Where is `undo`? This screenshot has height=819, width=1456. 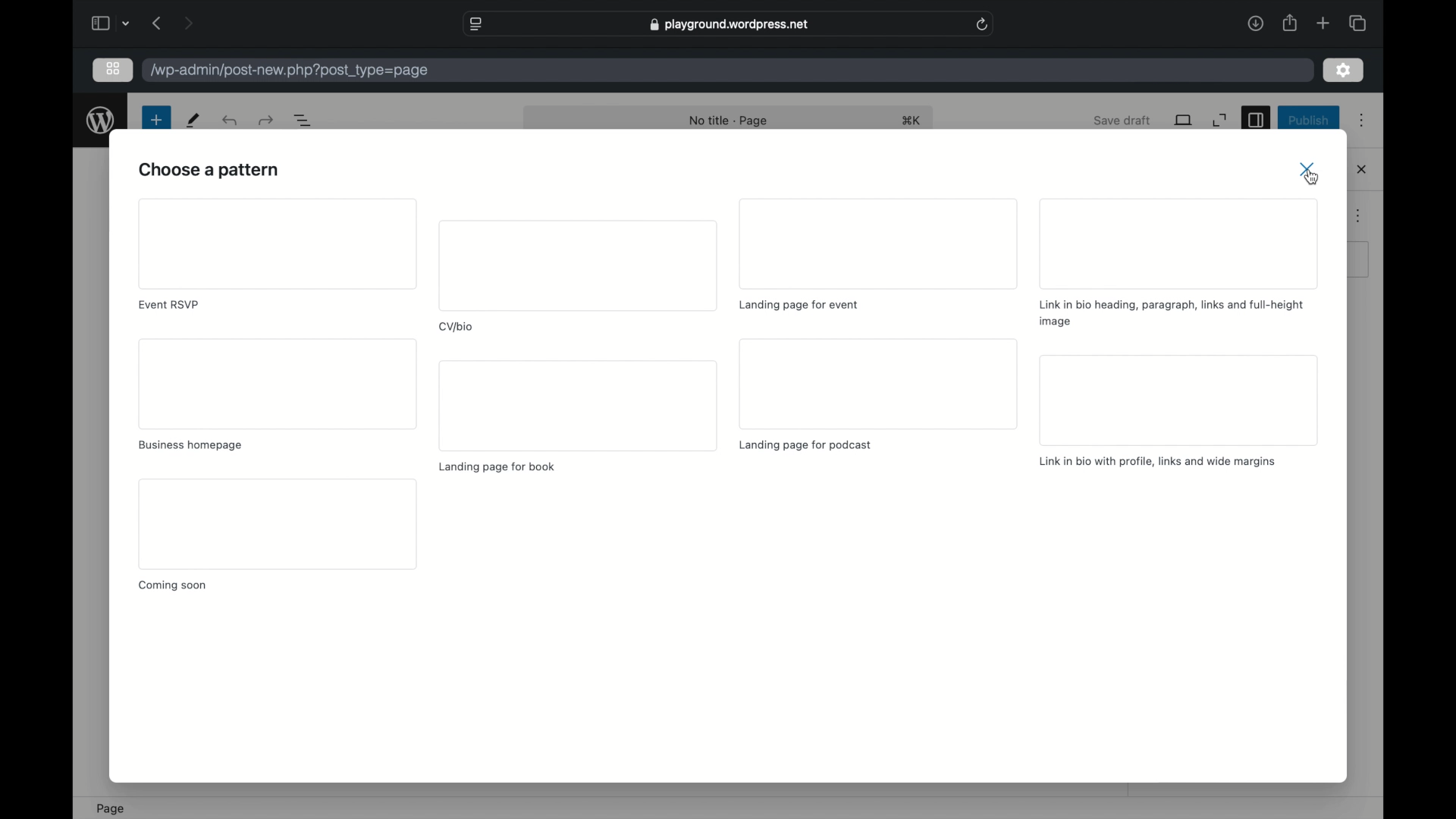 undo is located at coordinates (265, 121).